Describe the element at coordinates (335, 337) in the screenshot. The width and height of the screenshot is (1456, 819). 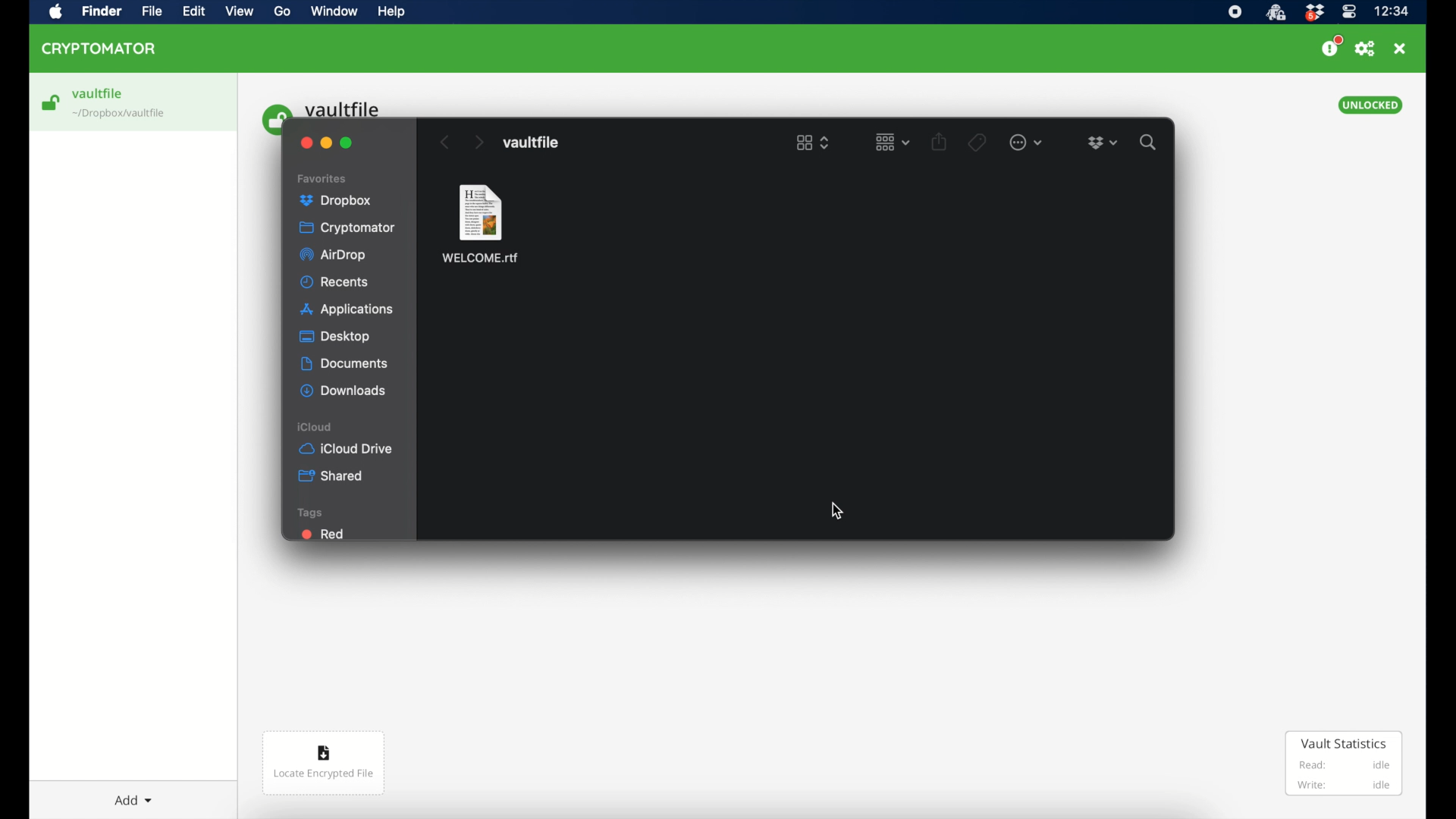
I see `desktop` at that location.